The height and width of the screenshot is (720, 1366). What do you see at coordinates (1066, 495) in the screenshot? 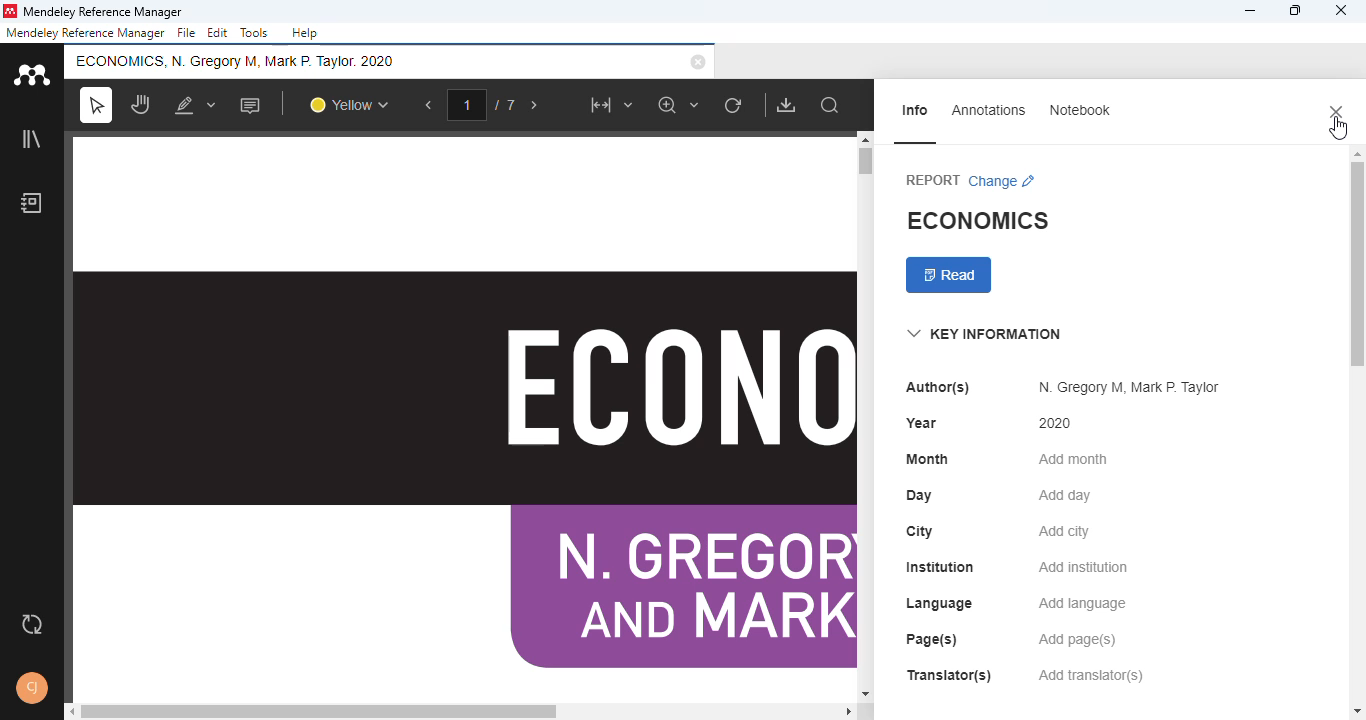
I see `add day` at bounding box center [1066, 495].